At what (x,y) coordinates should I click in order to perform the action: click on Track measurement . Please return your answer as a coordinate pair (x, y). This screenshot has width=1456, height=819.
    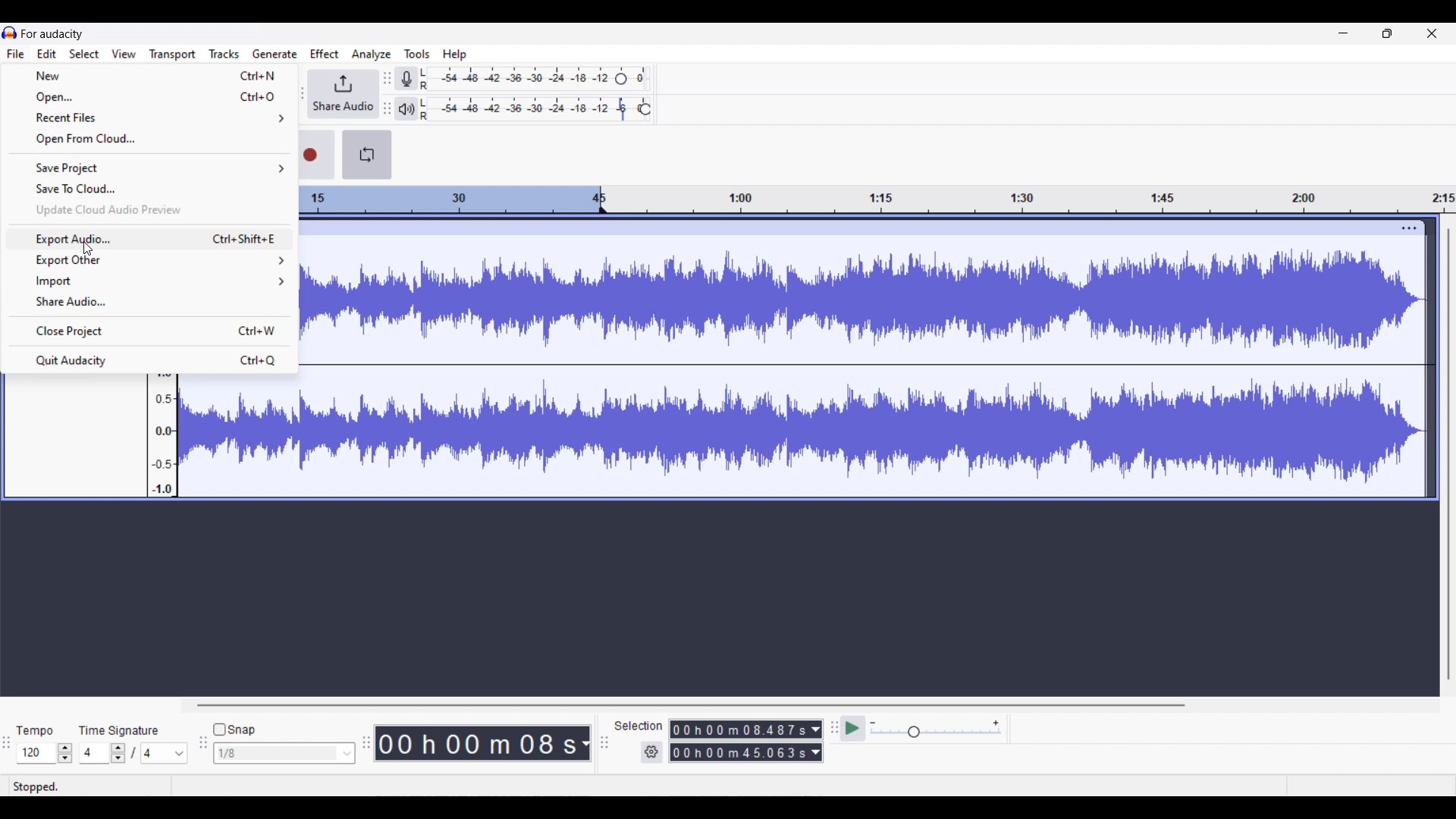
    Looking at the image, I should click on (584, 743).